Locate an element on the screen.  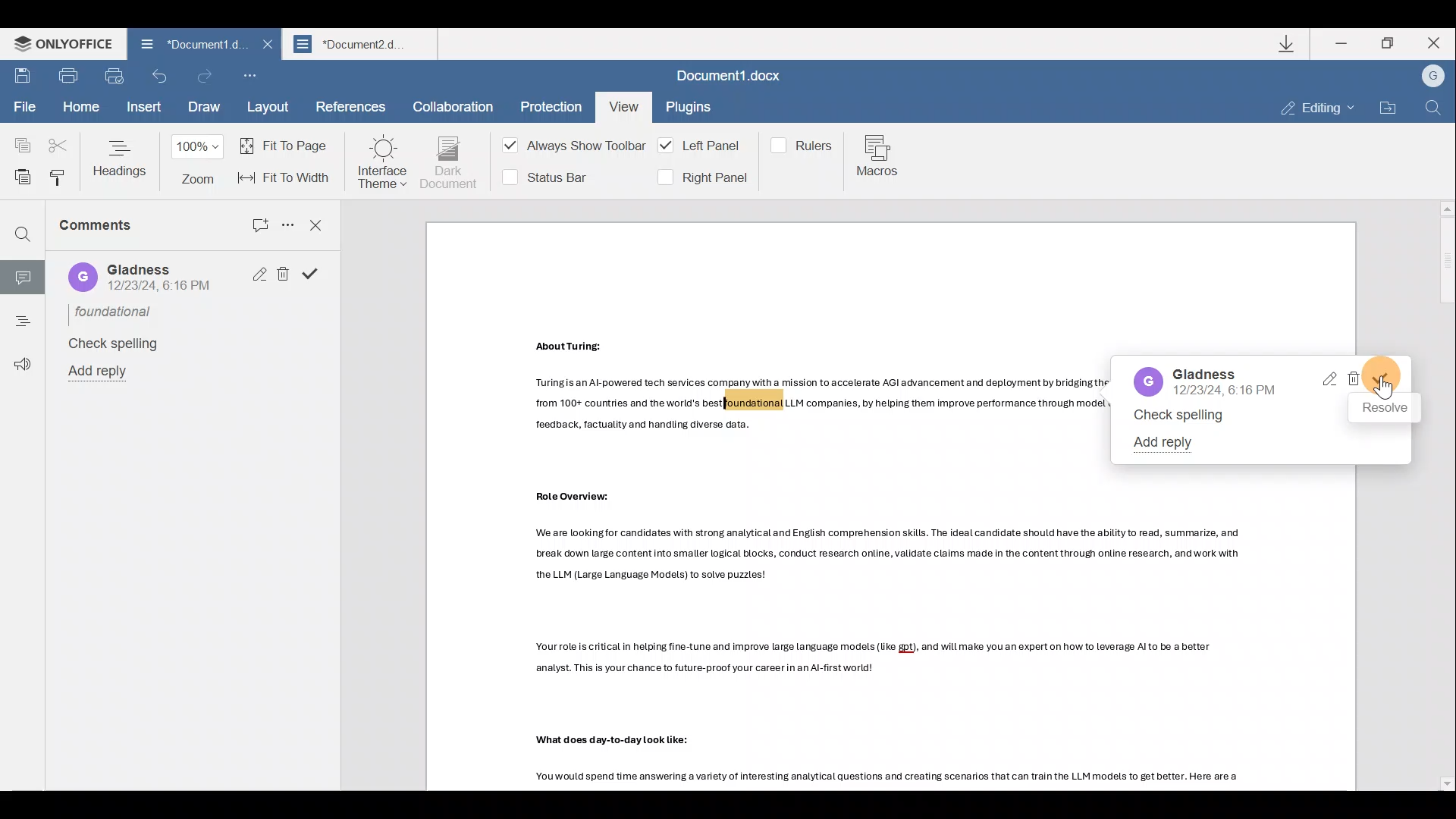
Dark document is located at coordinates (450, 163).